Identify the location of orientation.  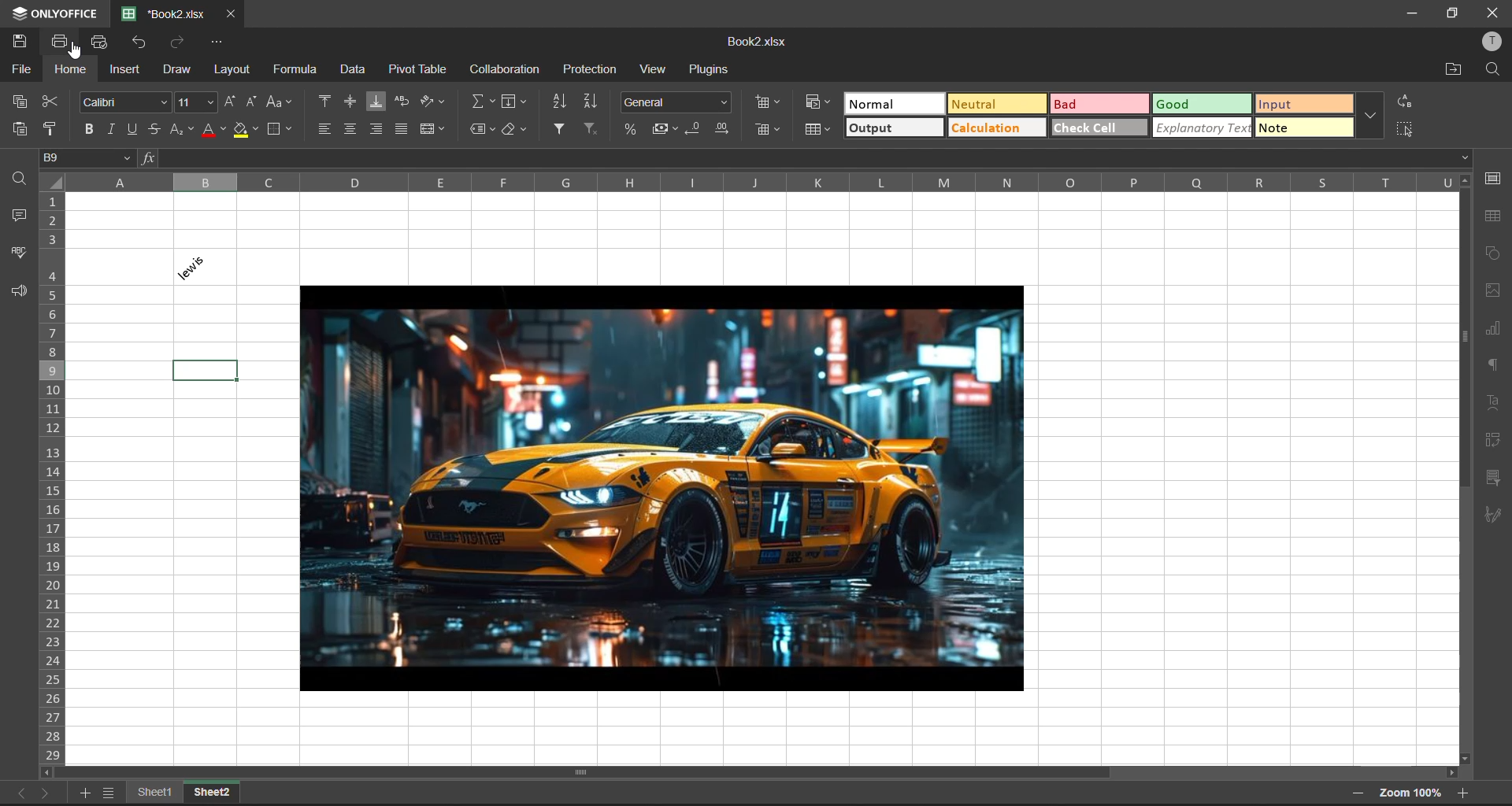
(432, 103).